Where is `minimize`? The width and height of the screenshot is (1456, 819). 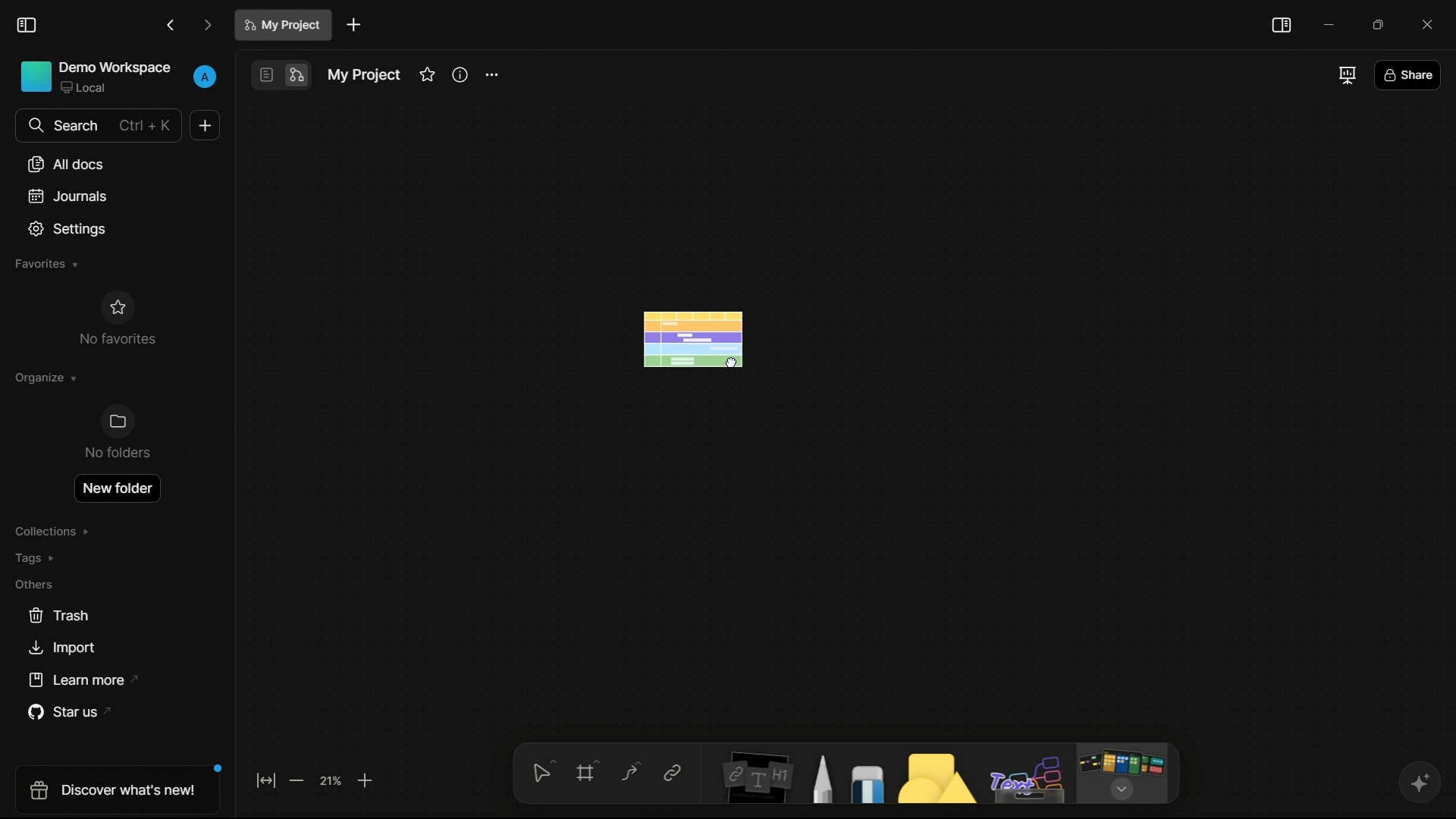
minimize is located at coordinates (1327, 22).